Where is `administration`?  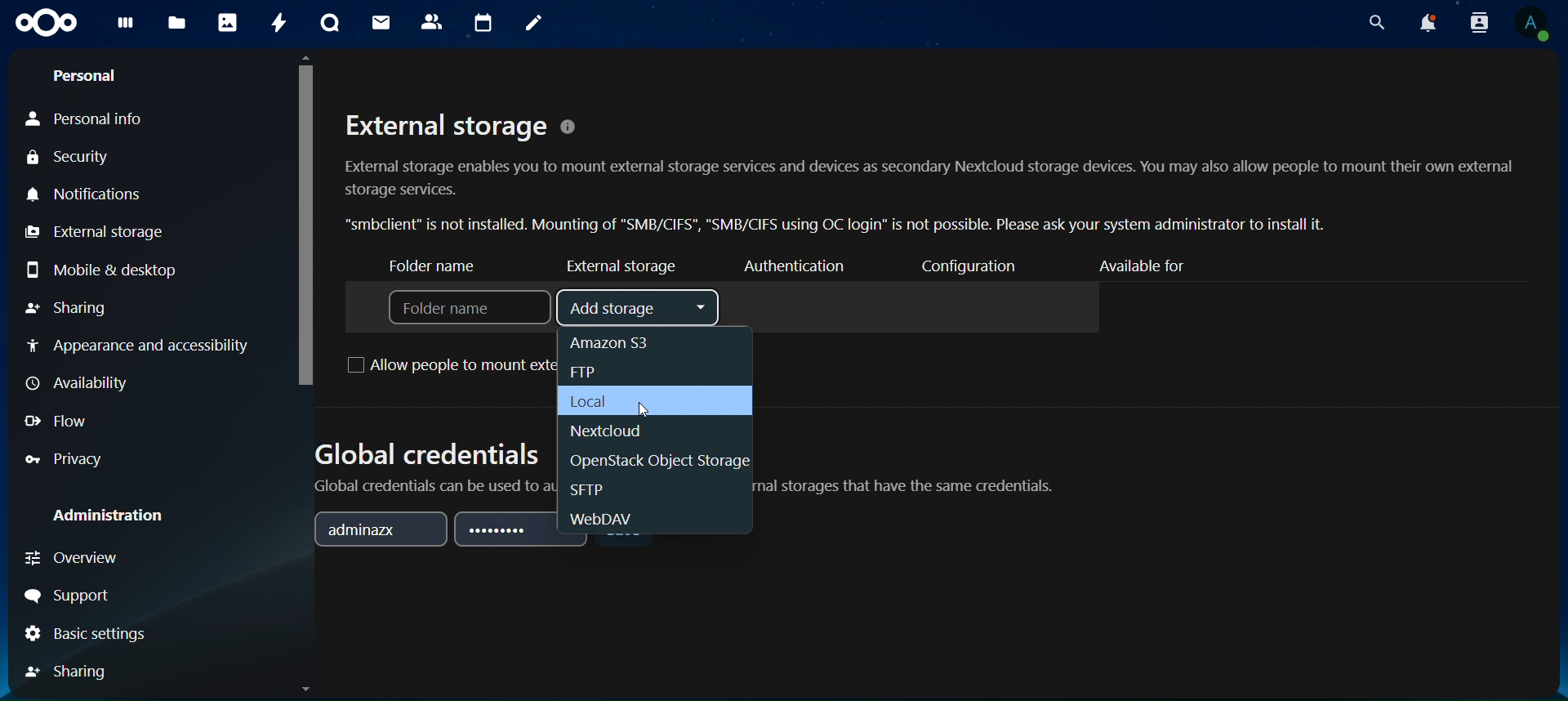 administration is located at coordinates (109, 517).